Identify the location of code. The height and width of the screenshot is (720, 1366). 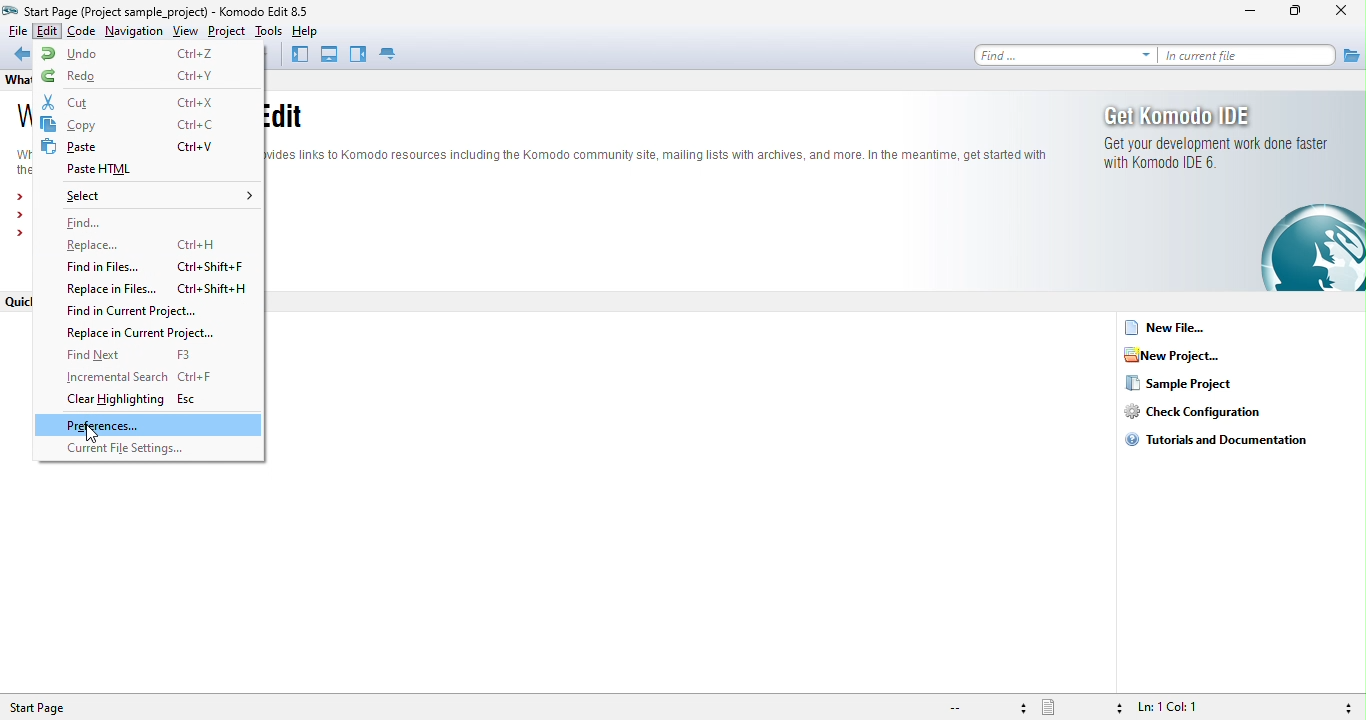
(82, 32).